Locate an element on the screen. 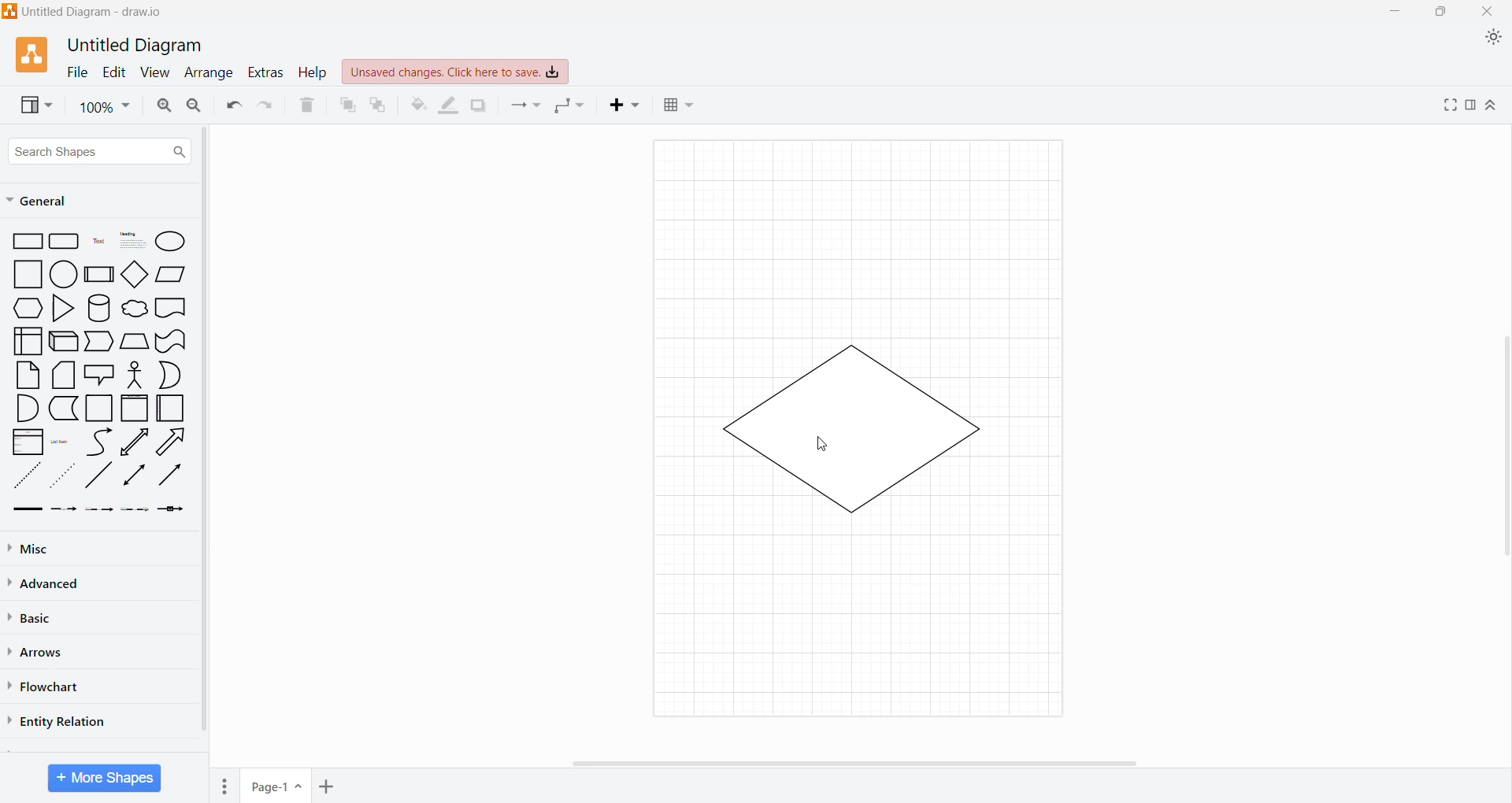 This screenshot has height=803, width=1512. Vertical Scroll Bar is located at coordinates (204, 434).